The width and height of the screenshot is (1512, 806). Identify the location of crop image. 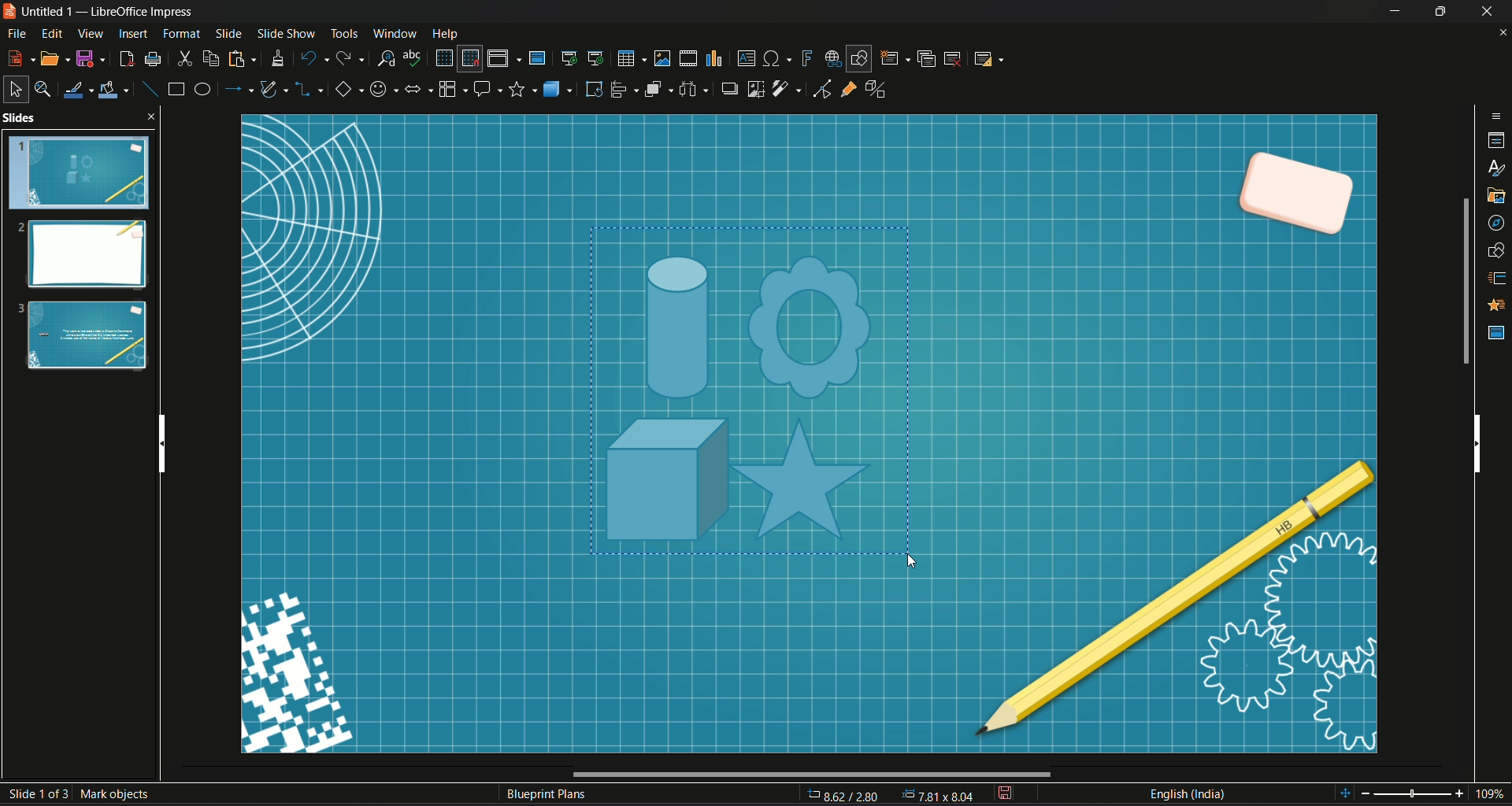
(757, 88).